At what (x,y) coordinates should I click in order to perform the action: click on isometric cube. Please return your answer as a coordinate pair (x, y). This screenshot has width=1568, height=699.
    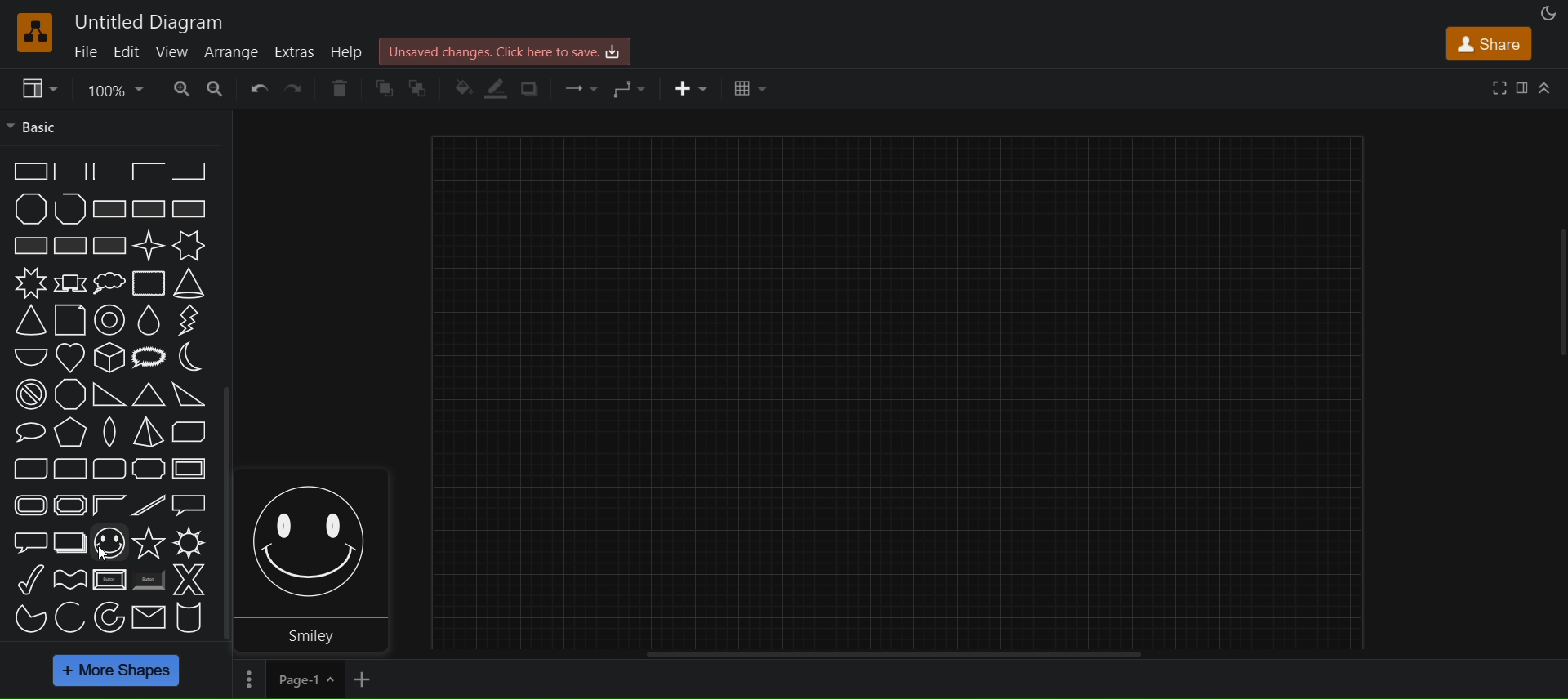
    Looking at the image, I should click on (109, 358).